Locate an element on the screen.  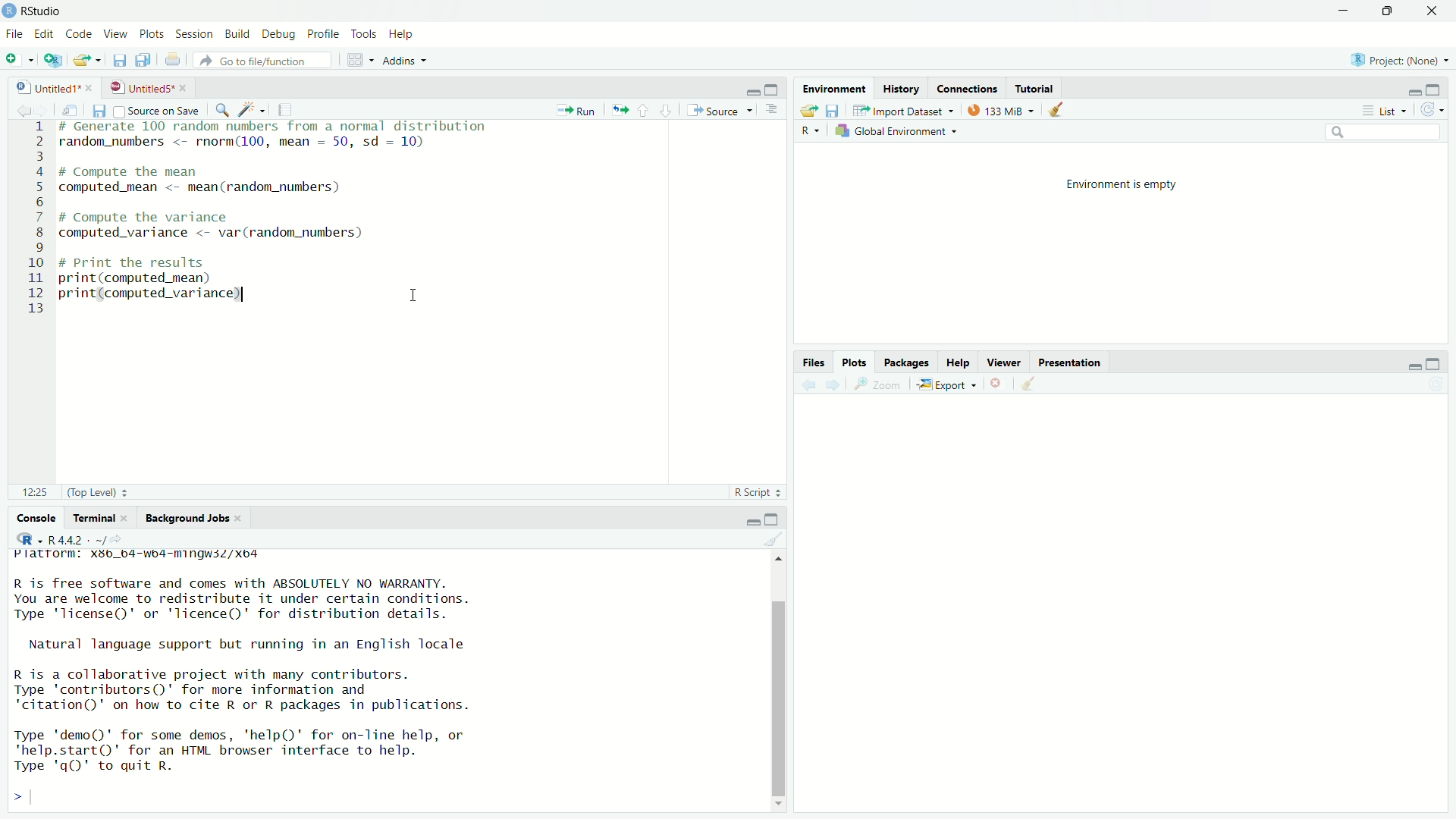
packages is located at coordinates (908, 362).